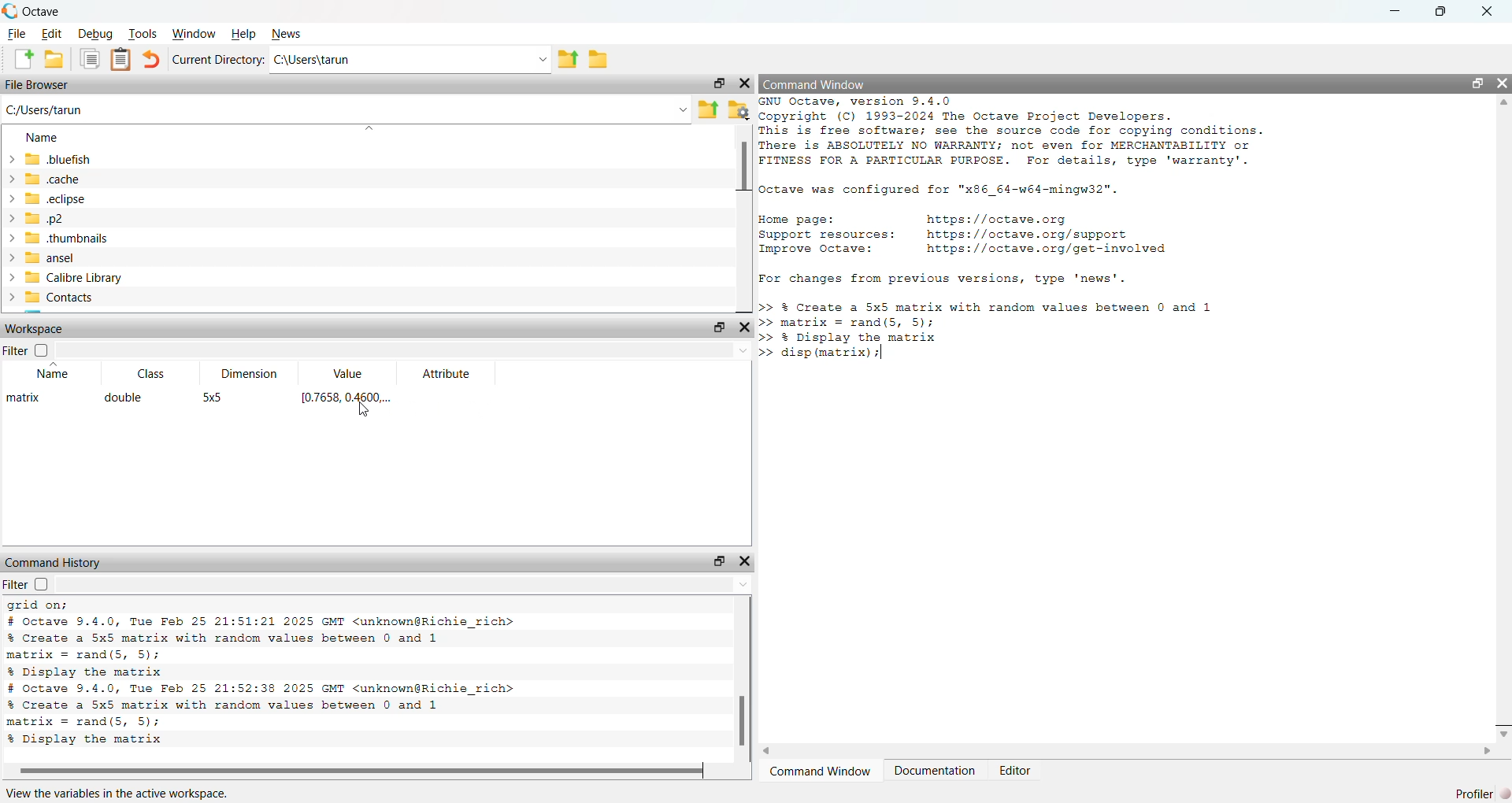 The image size is (1512, 803). Describe the element at coordinates (290, 32) in the screenshot. I see `News` at that location.